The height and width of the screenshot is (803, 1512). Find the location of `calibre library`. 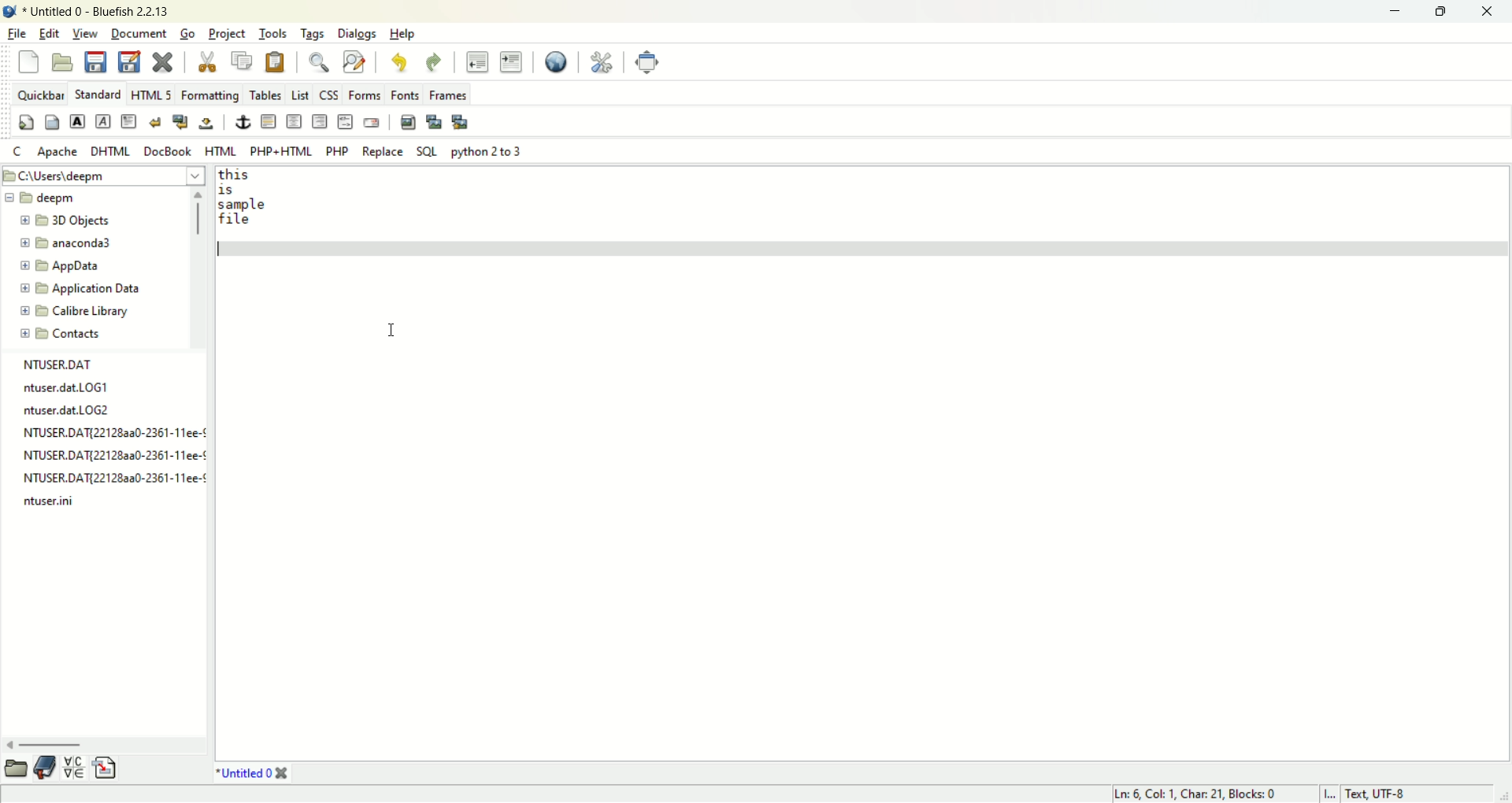

calibre library is located at coordinates (77, 313).